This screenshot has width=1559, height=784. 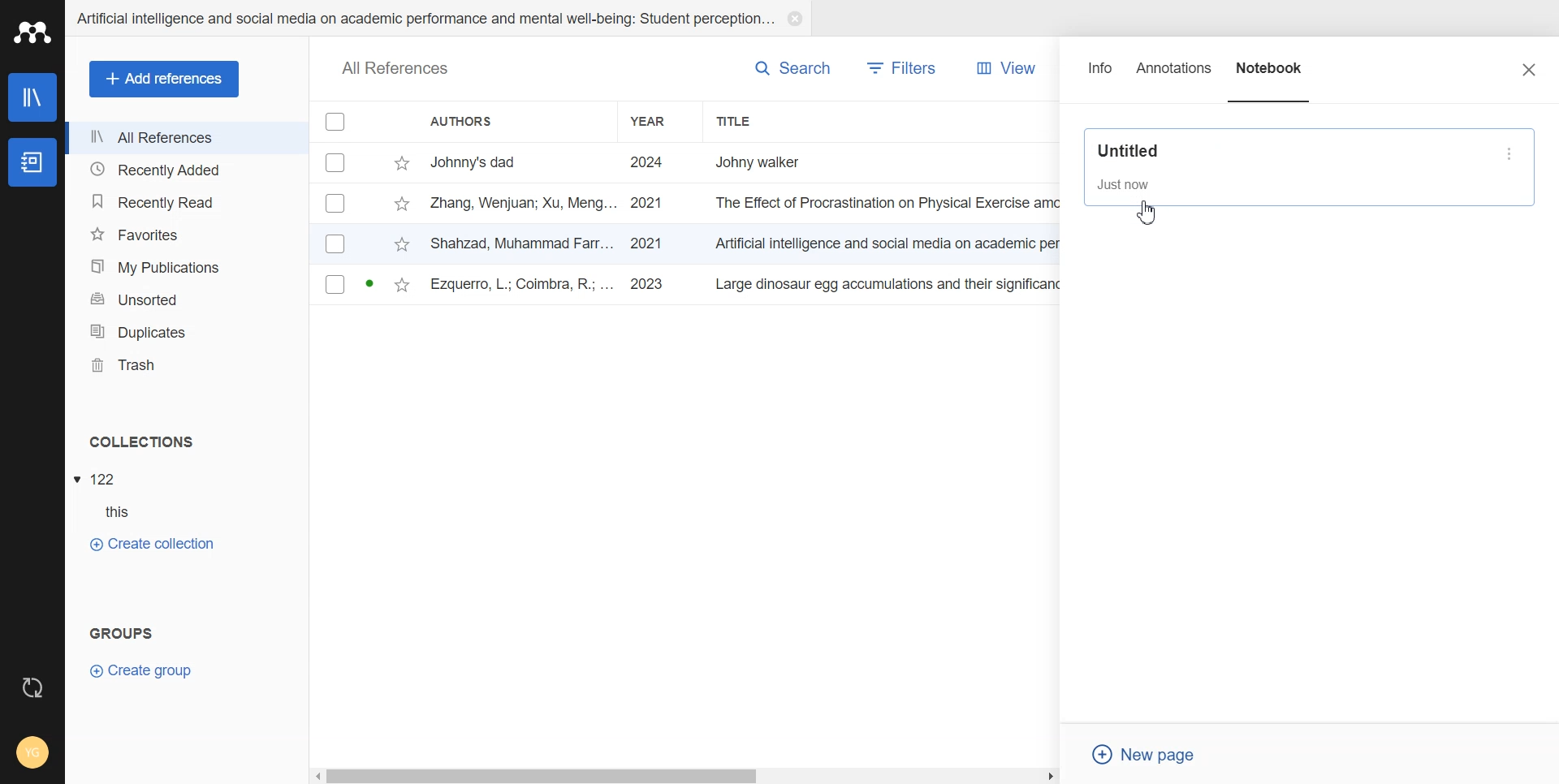 What do you see at coordinates (890, 241) in the screenshot?
I see `Artificial intelligence and social media on academic per` at bounding box center [890, 241].